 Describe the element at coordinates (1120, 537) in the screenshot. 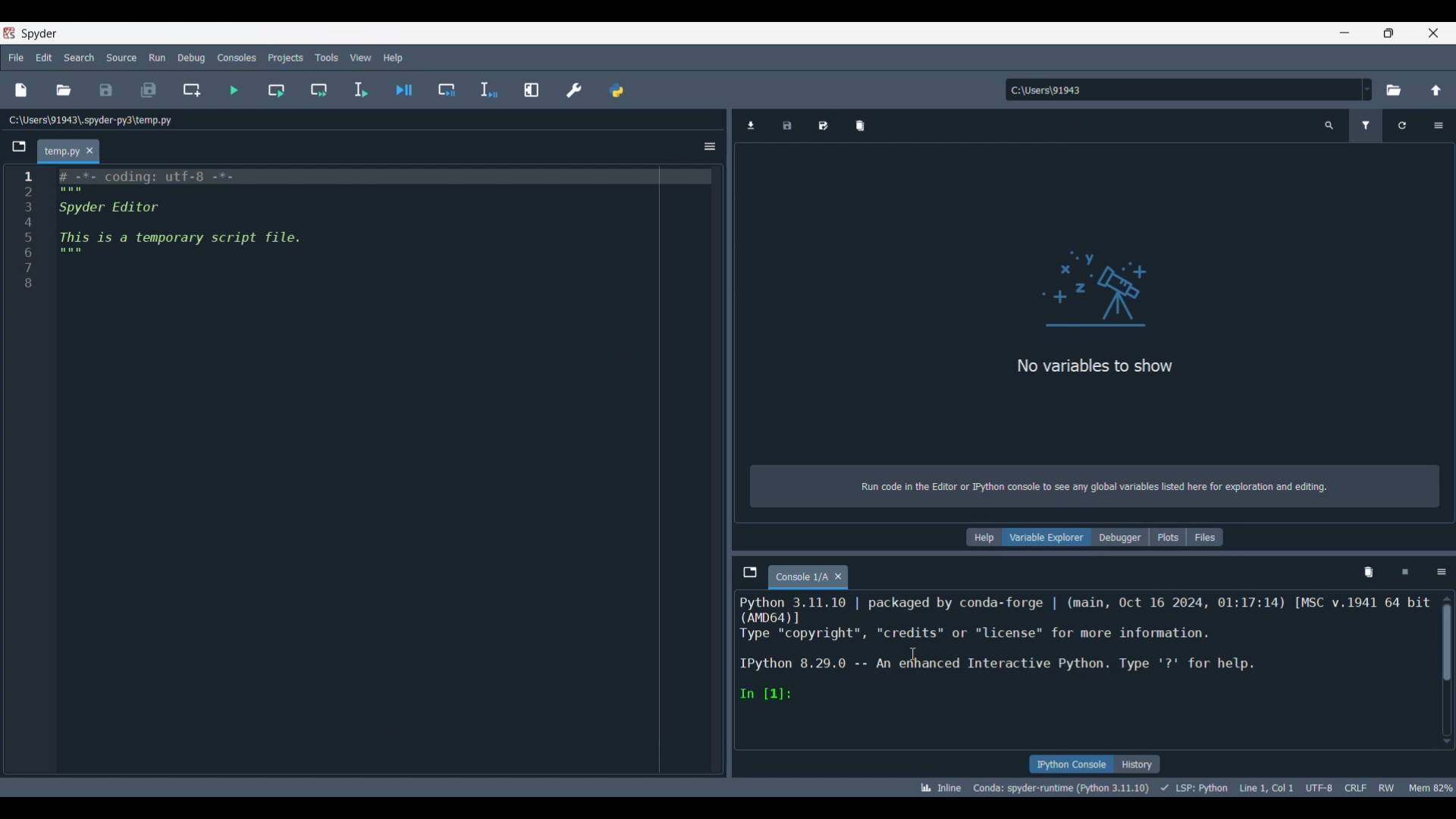

I see `Debugger` at that location.